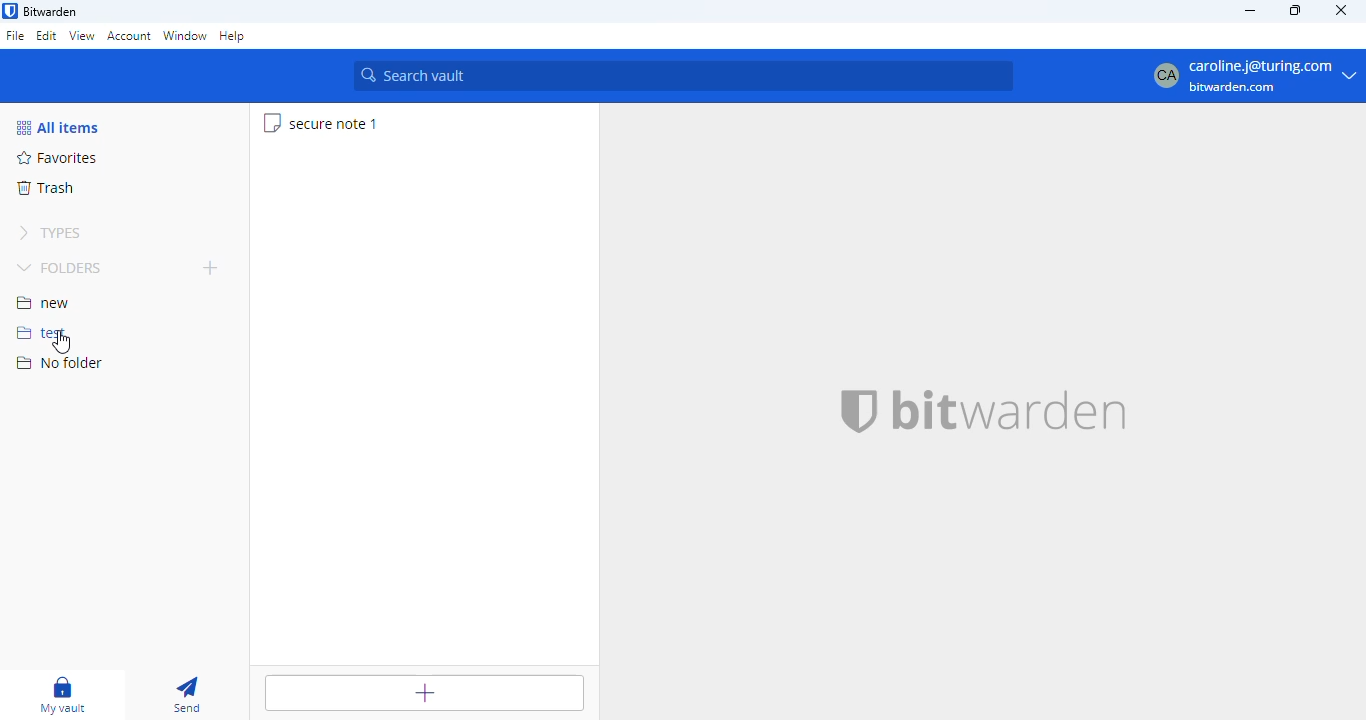 The image size is (1366, 720). Describe the element at coordinates (50, 12) in the screenshot. I see `bitwarden` at that location.